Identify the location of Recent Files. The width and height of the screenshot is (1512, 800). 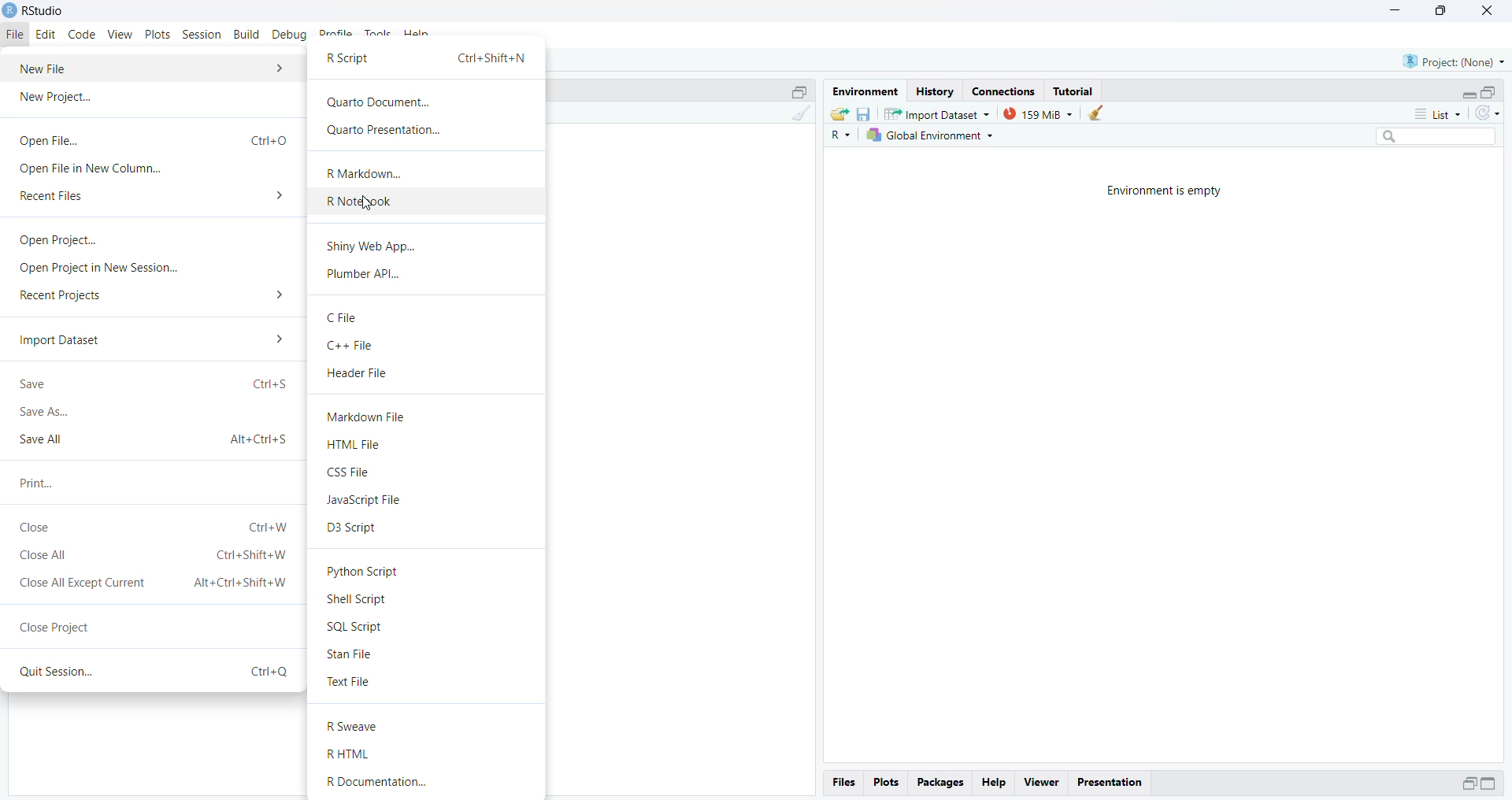
(152, 197).